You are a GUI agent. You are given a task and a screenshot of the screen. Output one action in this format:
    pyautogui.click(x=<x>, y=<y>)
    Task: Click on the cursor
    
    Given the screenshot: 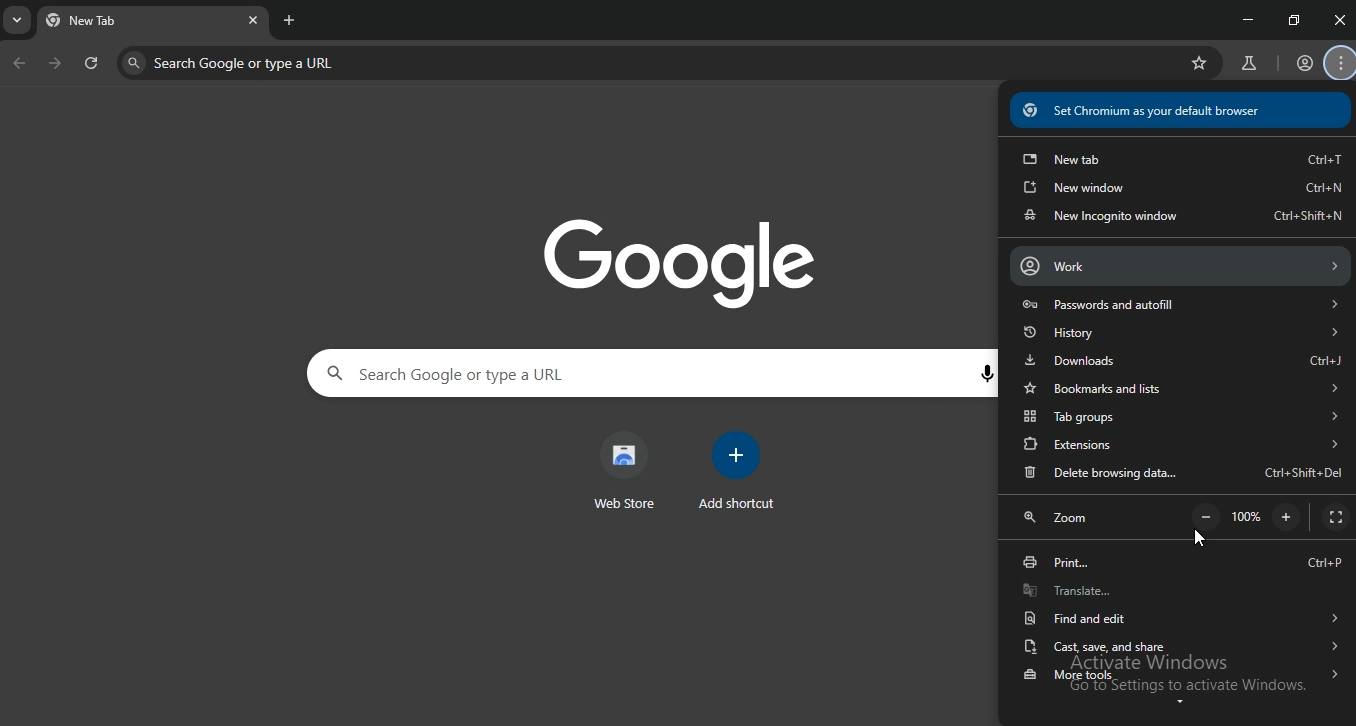 What is the action you would take?
    pyautogui.click(x=1198, y=538)
    